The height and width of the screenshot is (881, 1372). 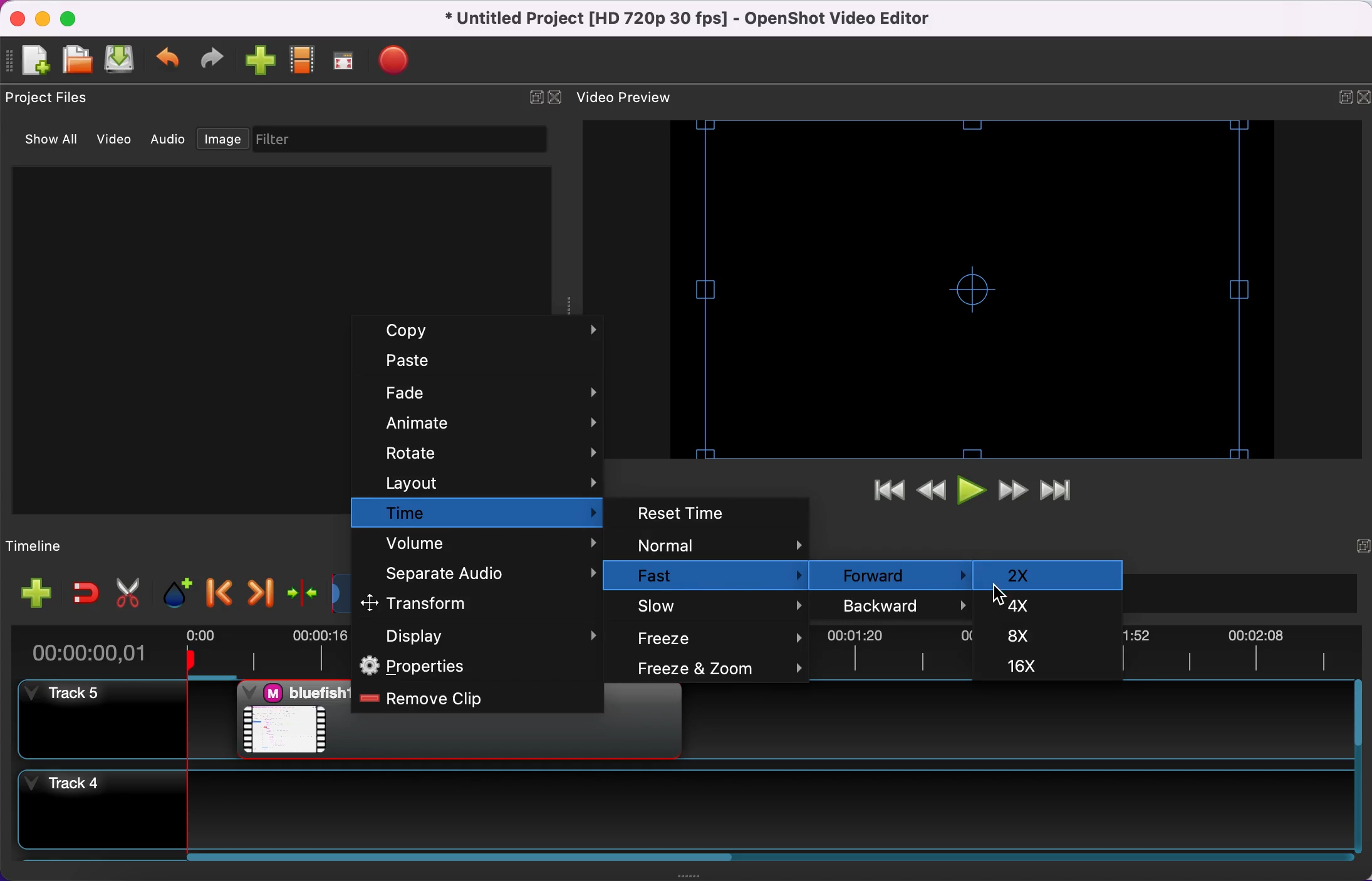 What do you see at coordinates (262, 62) in the screenshot?
I see `import file` at bounding box center [262, 62].